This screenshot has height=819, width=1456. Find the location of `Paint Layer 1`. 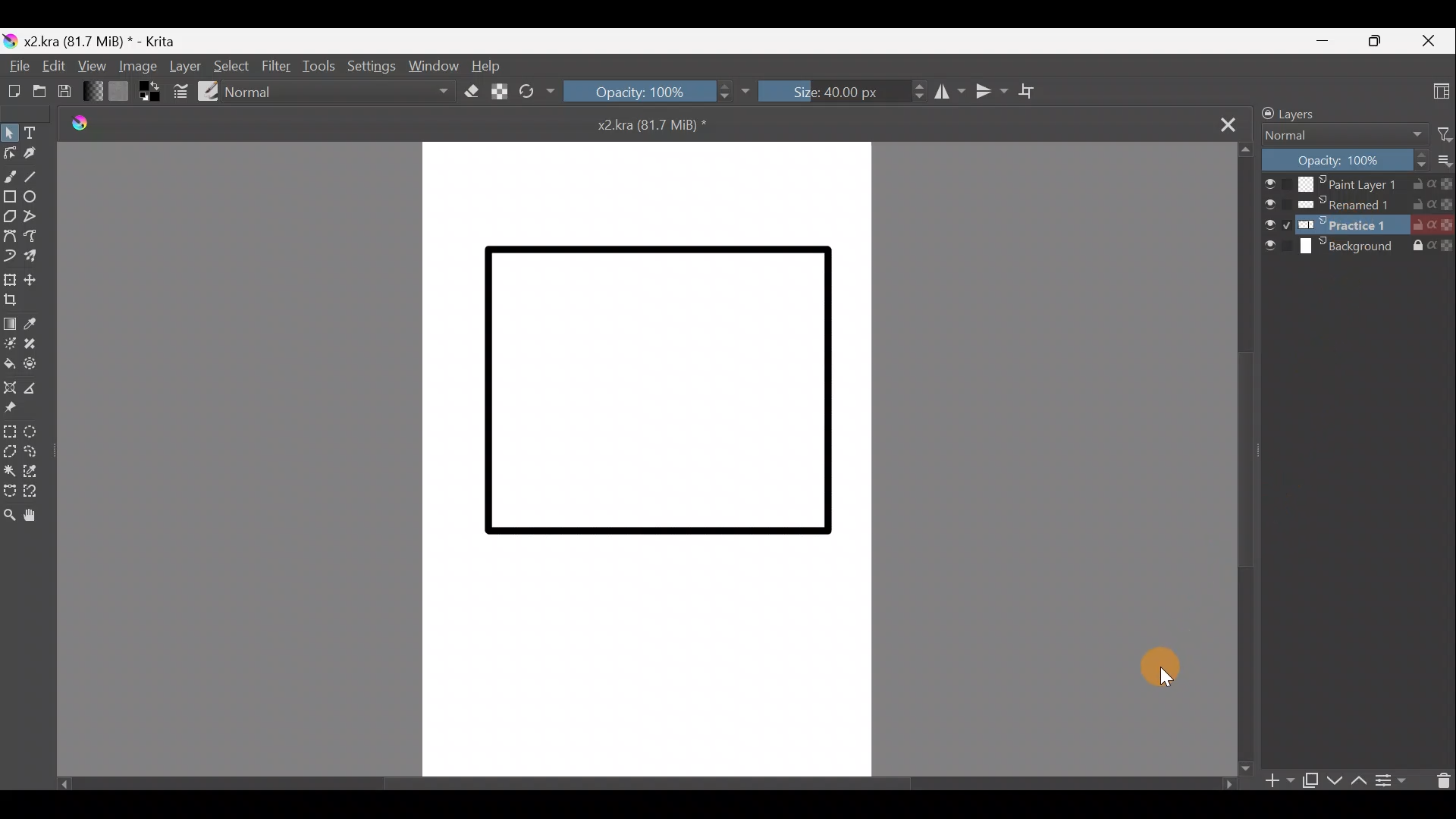

Paint Layer 1 is located at coordinates (1355, 184).